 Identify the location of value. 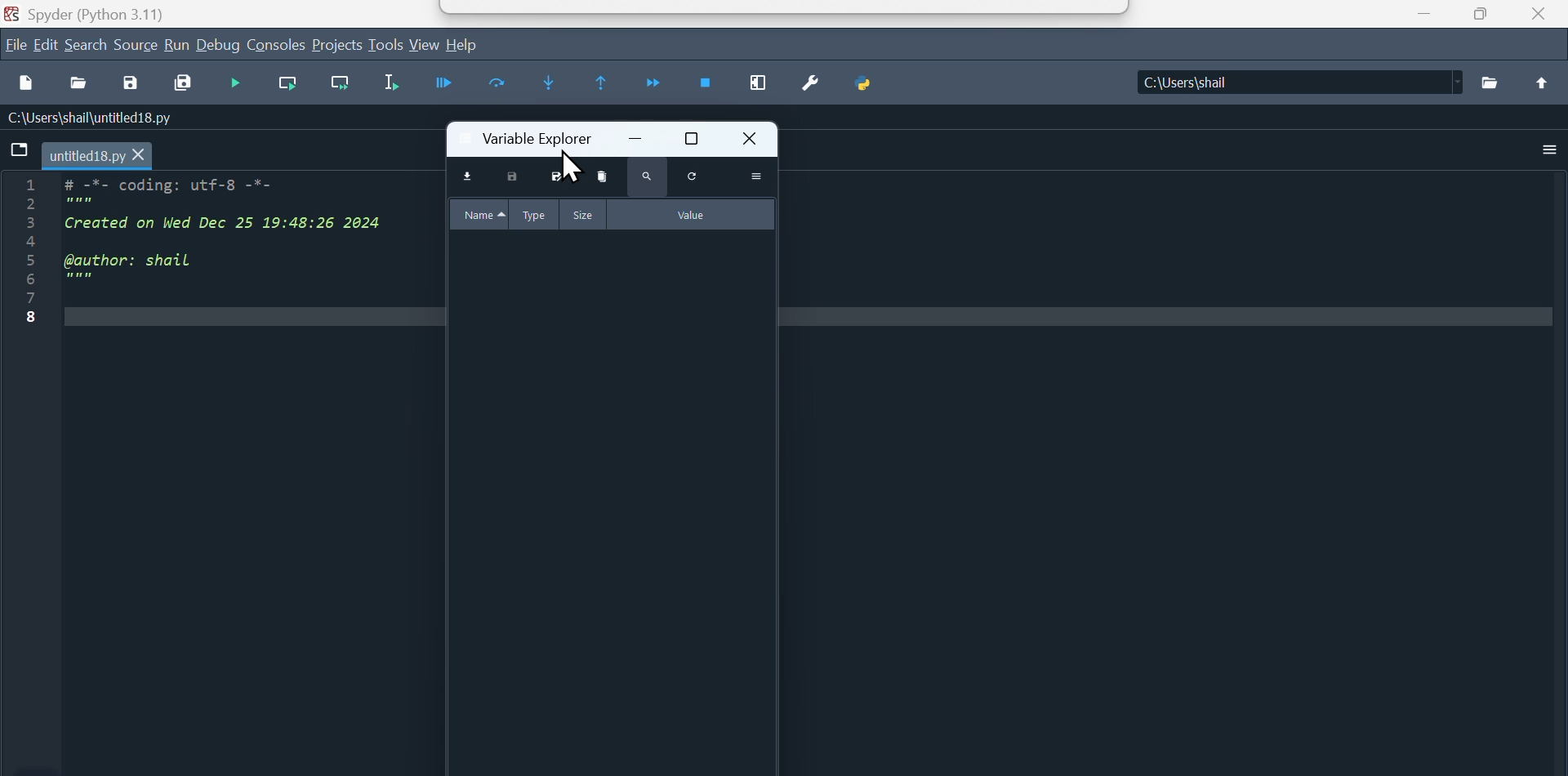
(692, 214).